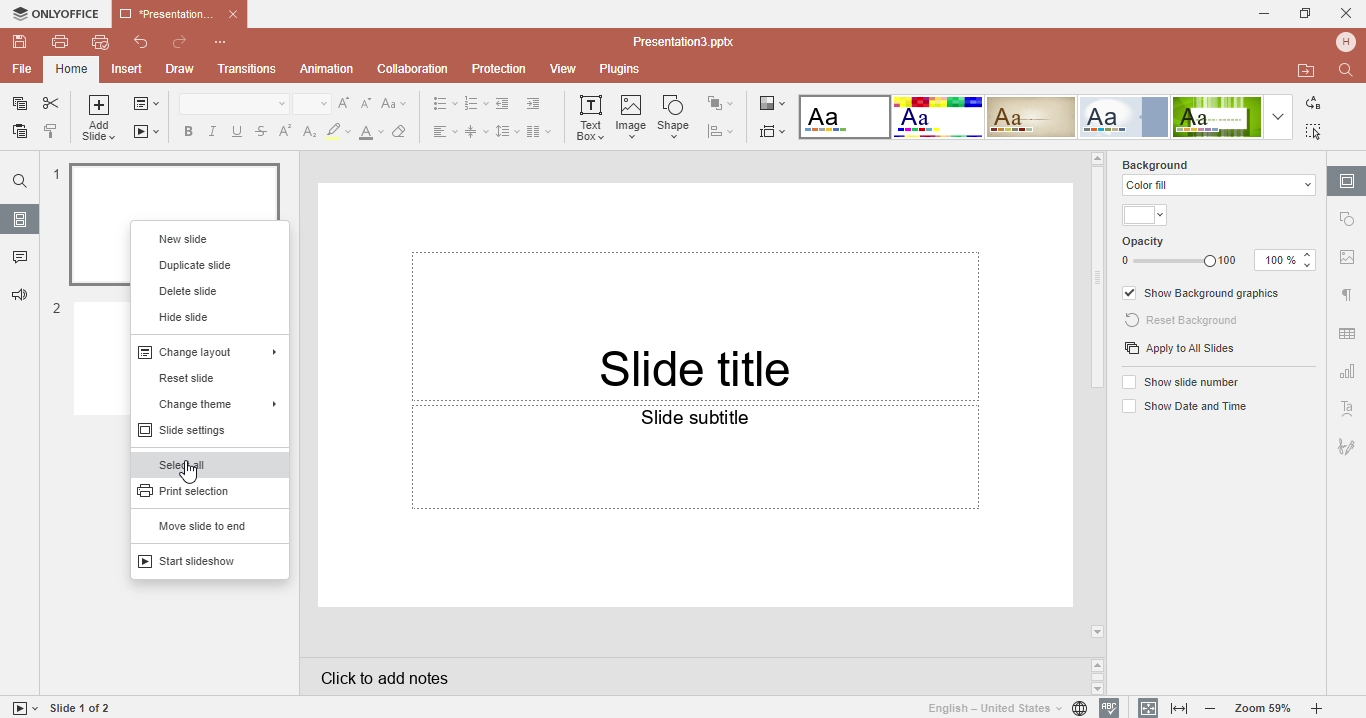 The width and height of the screenshot is (1366, 718). Describe the element at coordinates (1124, 117) in the screenshot. I see `Offical` at that location.